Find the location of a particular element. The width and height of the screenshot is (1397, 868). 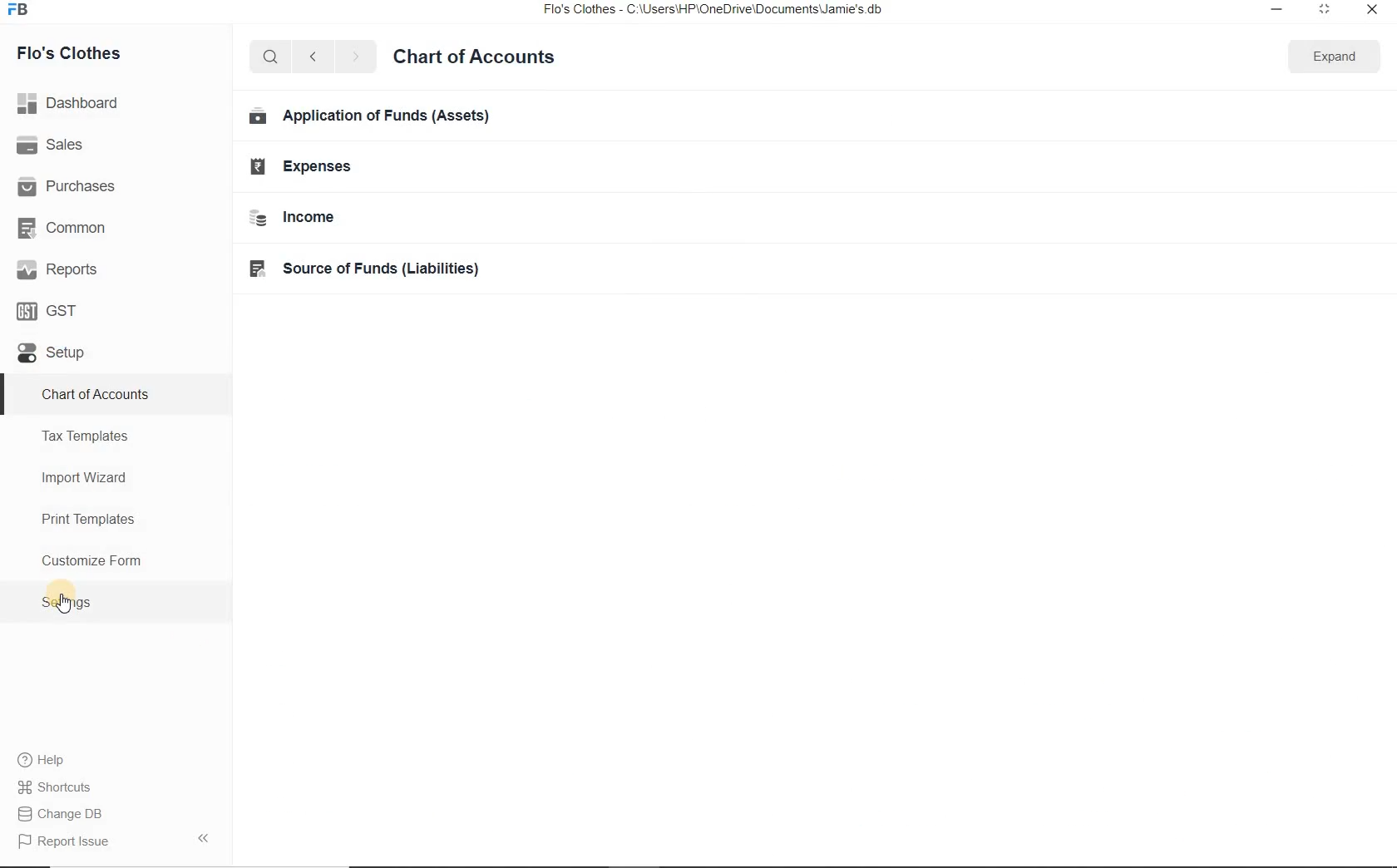

Expand is located at coordinates (1322, 10).